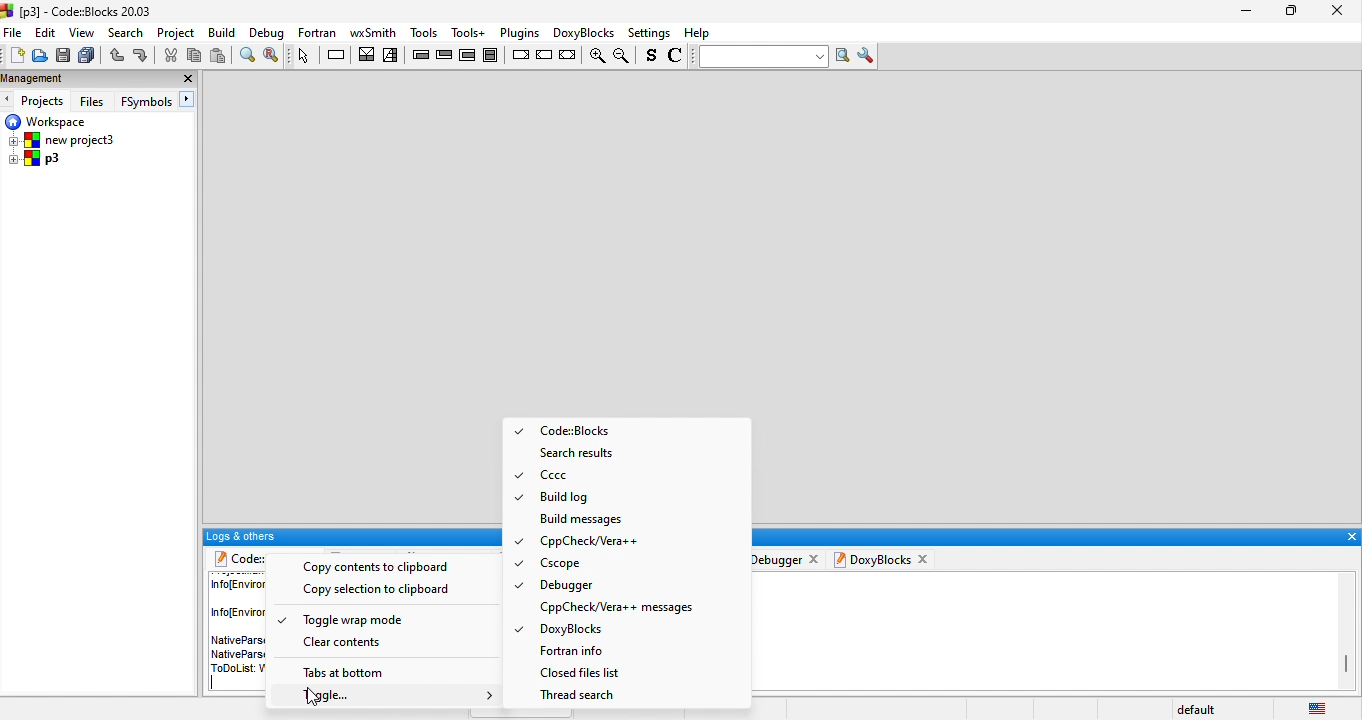 The image size is (1362, 720). What do you see at coordinates (350, 536) in the screenshot?
I see `logs and others` at bounding box center [350, 536].